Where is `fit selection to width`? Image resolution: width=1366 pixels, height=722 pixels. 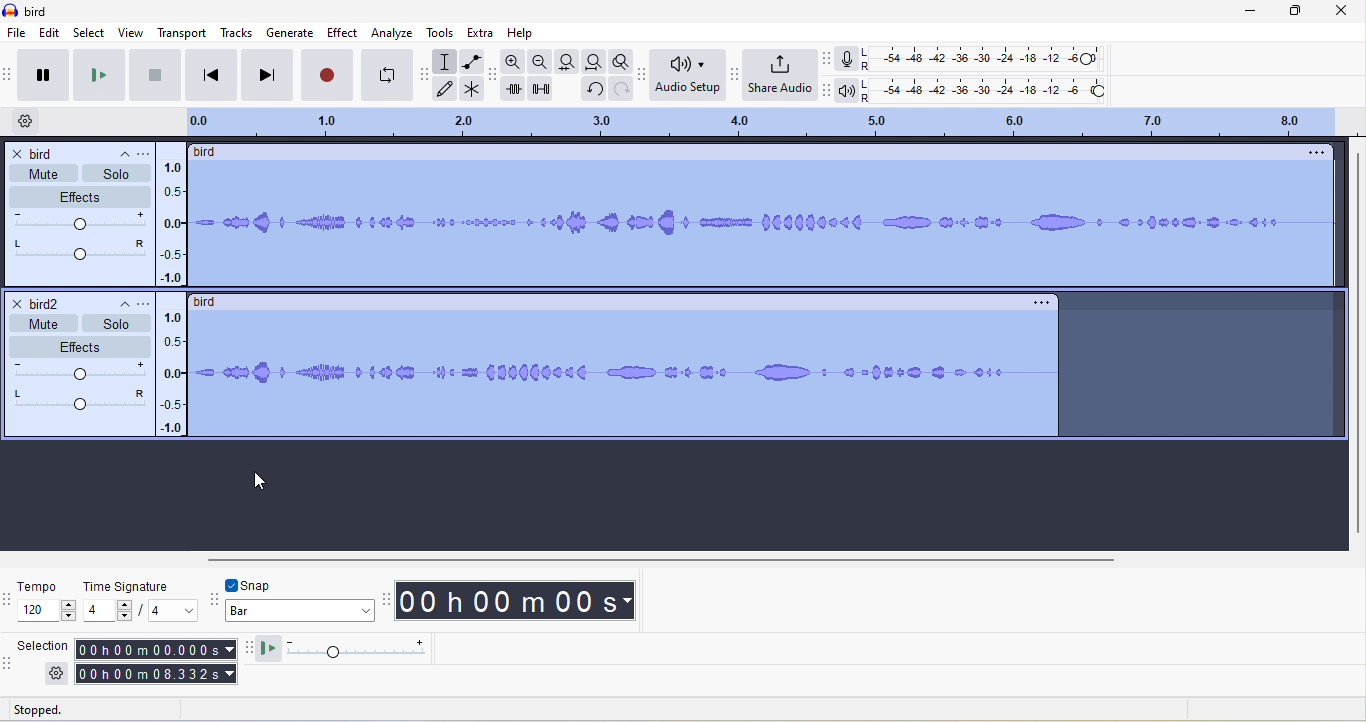
fit selection to width is located at coordinates (564, 62).